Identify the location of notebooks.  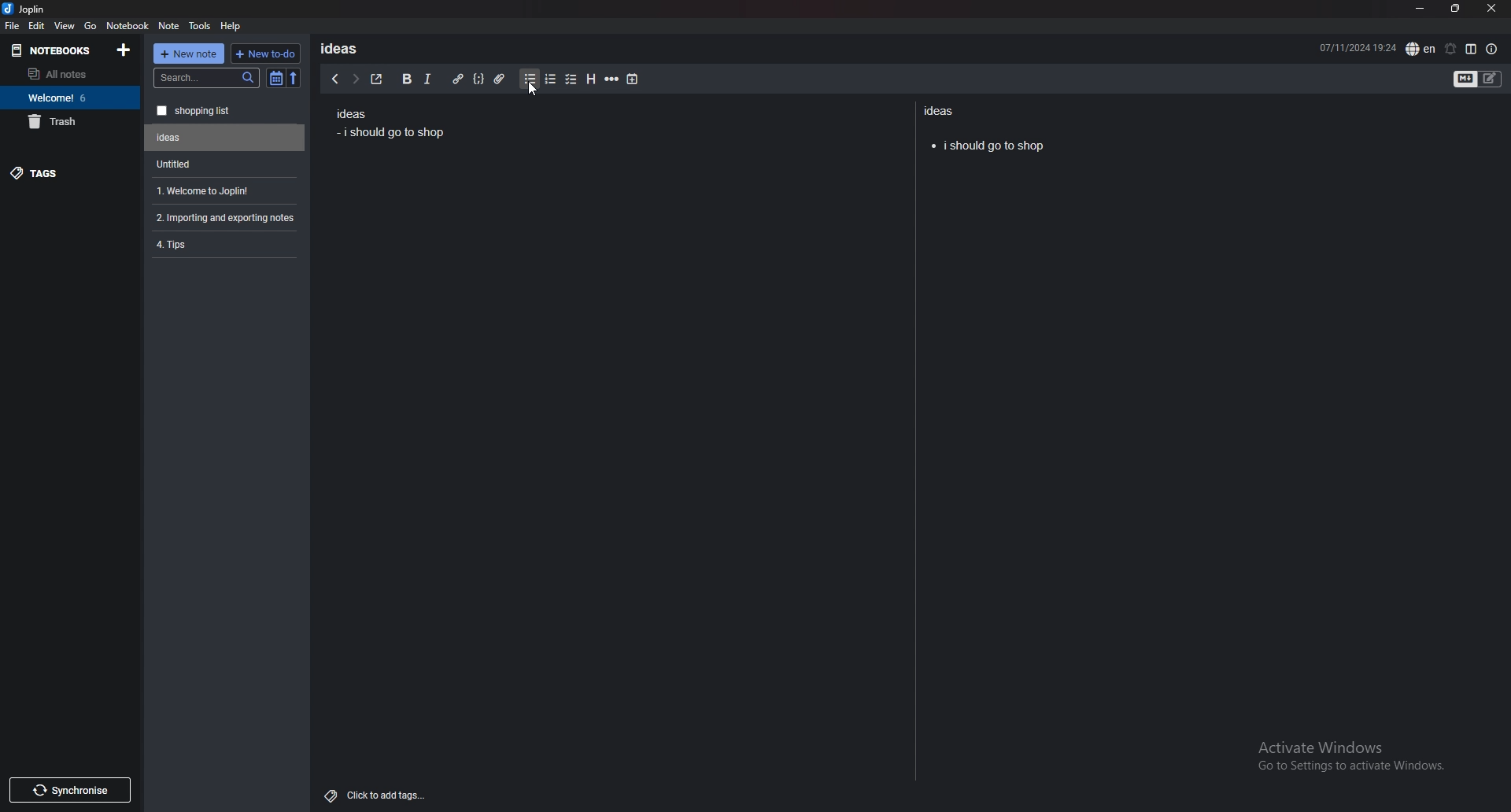
(56, 50).